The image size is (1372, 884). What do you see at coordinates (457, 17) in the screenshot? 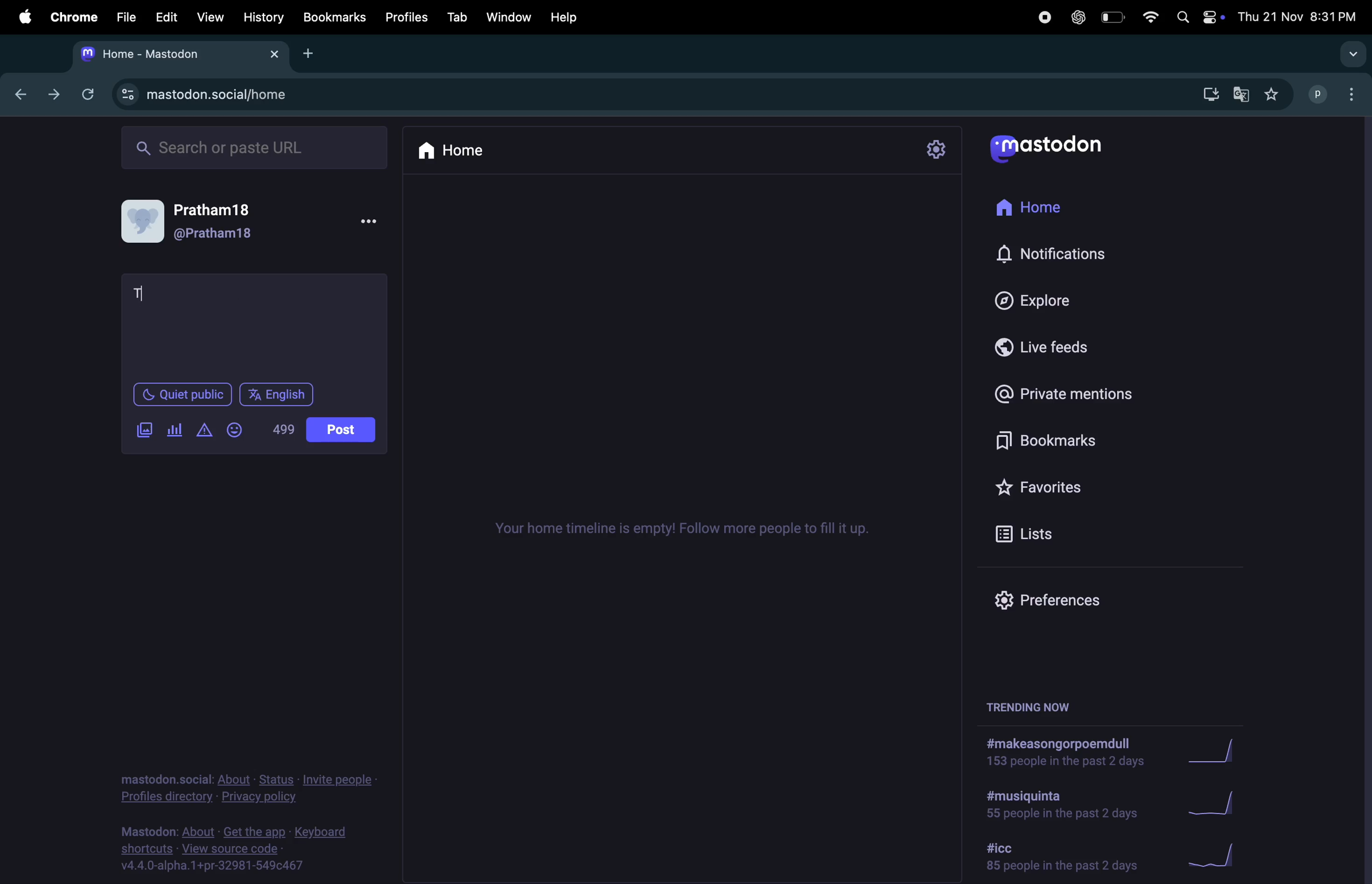
I see `tab` at bounding box center [457, 17].